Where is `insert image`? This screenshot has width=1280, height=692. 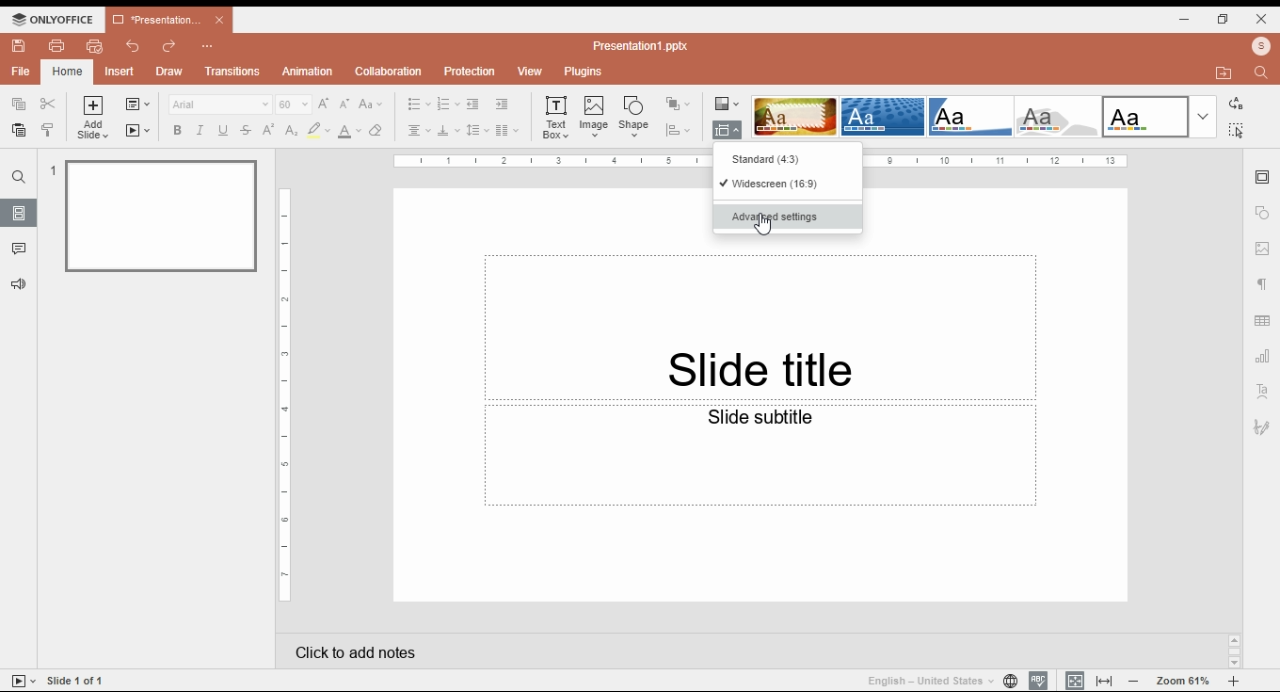 insert image is located at coordinates (595, 116).